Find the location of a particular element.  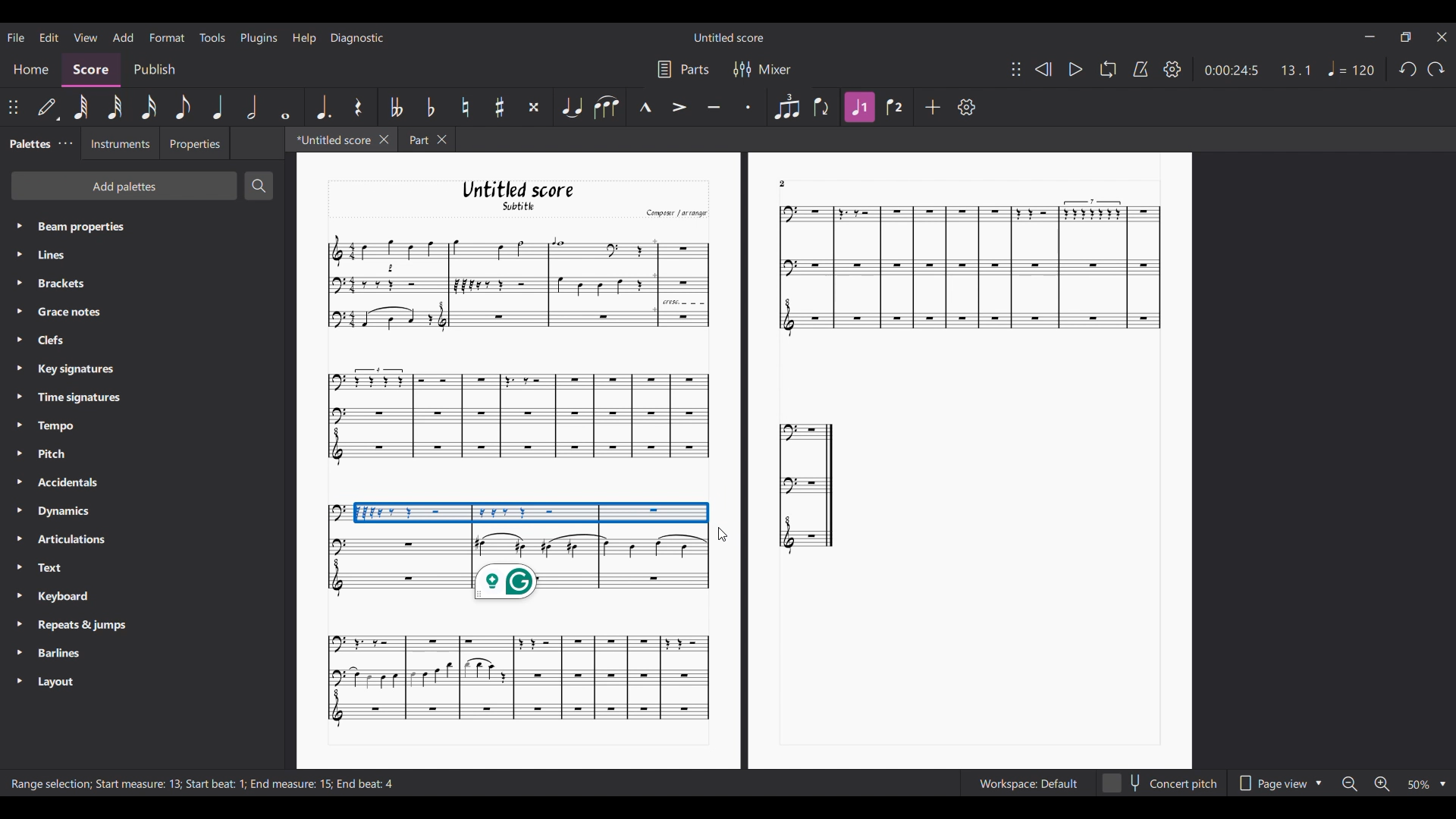

Move toolbar is located at coordinates (1016, 69).